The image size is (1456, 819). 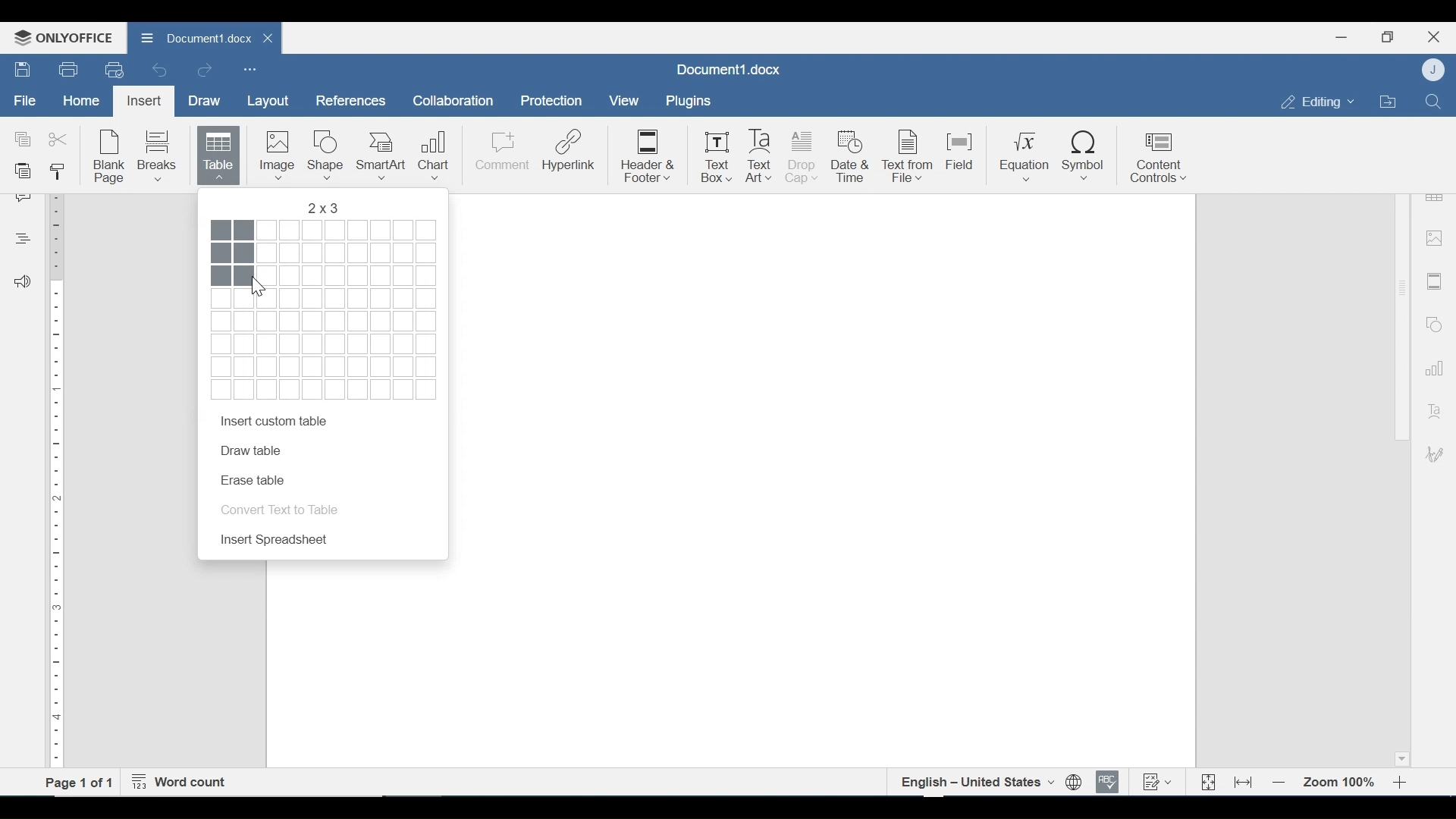 I want to click on Signature, so click(x=1432, y=456).